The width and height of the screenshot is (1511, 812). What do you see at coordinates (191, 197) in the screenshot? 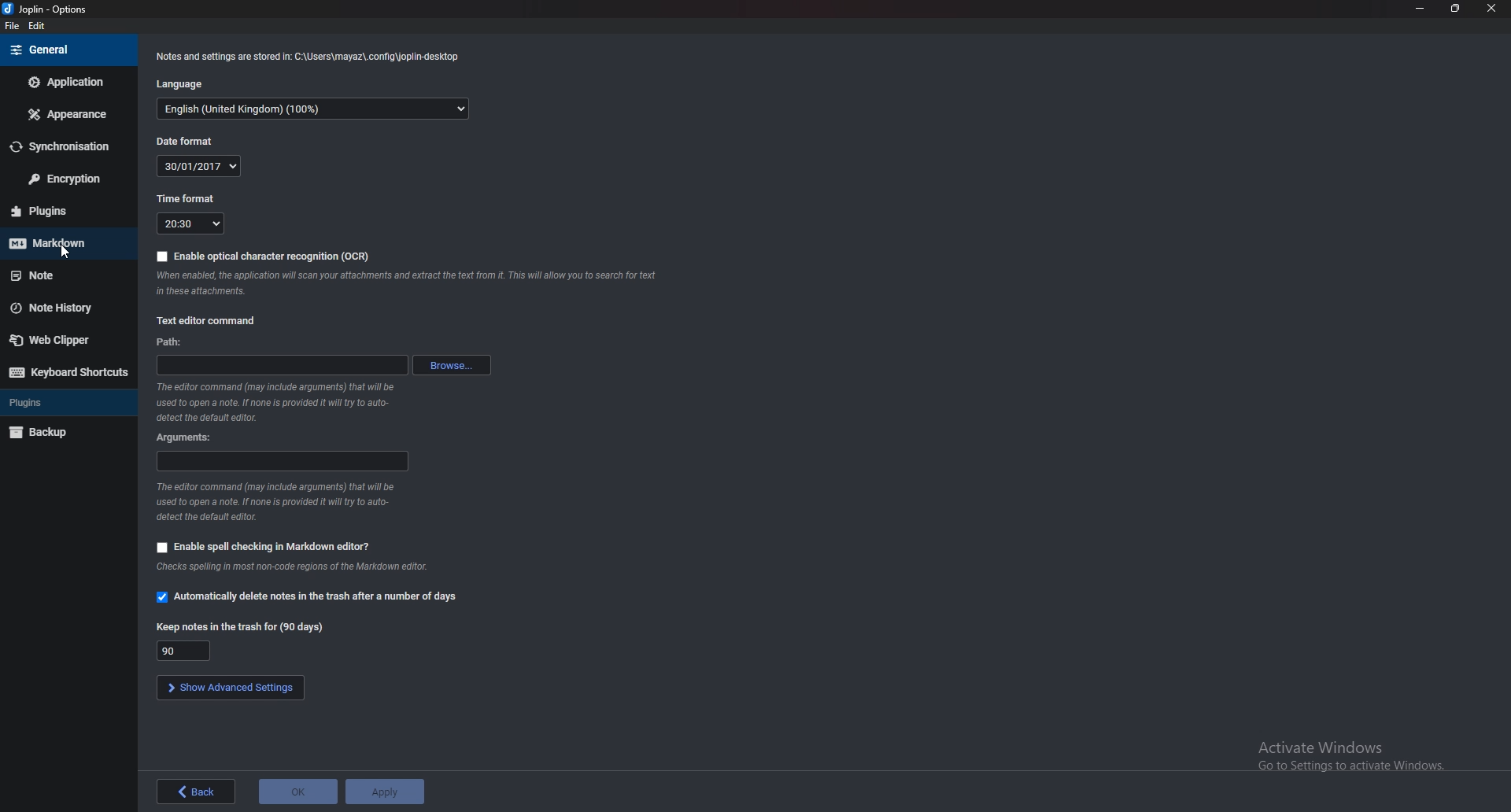
I see `Time format` at bounding box center [191, 197].